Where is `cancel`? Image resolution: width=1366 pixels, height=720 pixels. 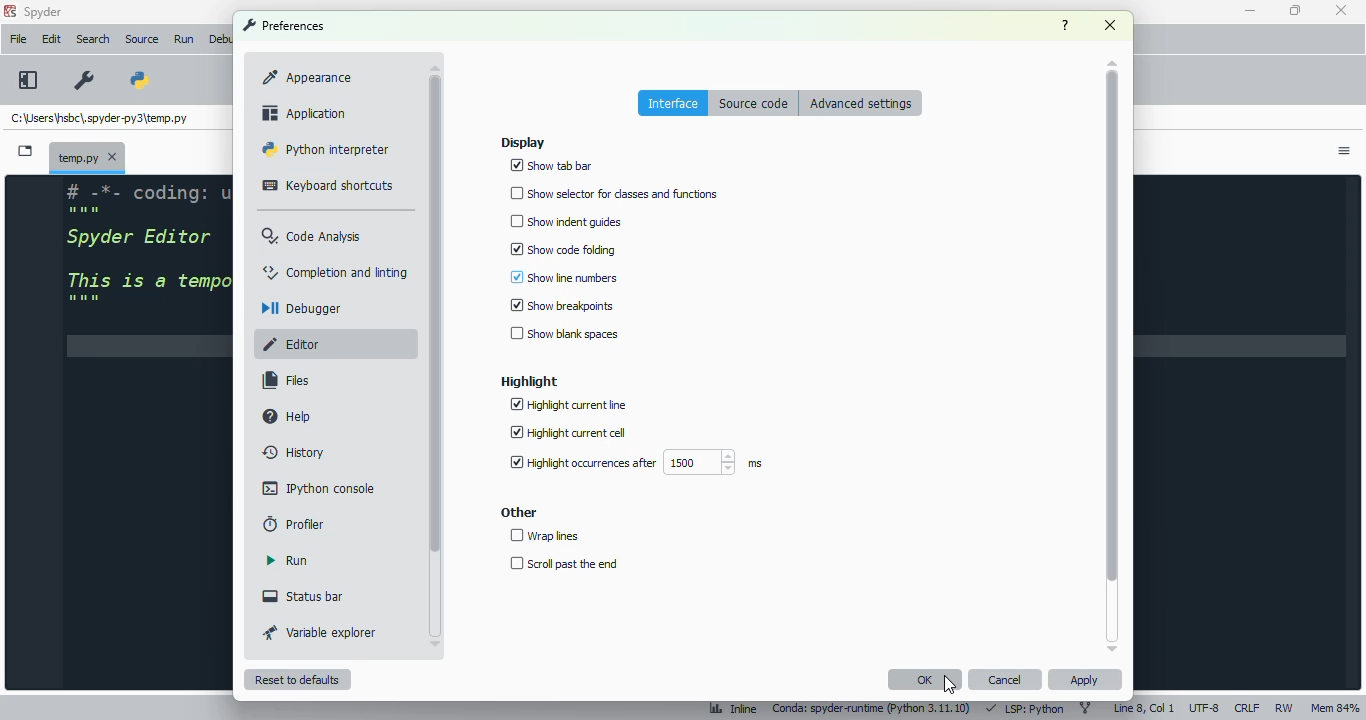 cancel is located at coordinates (1006, 680).